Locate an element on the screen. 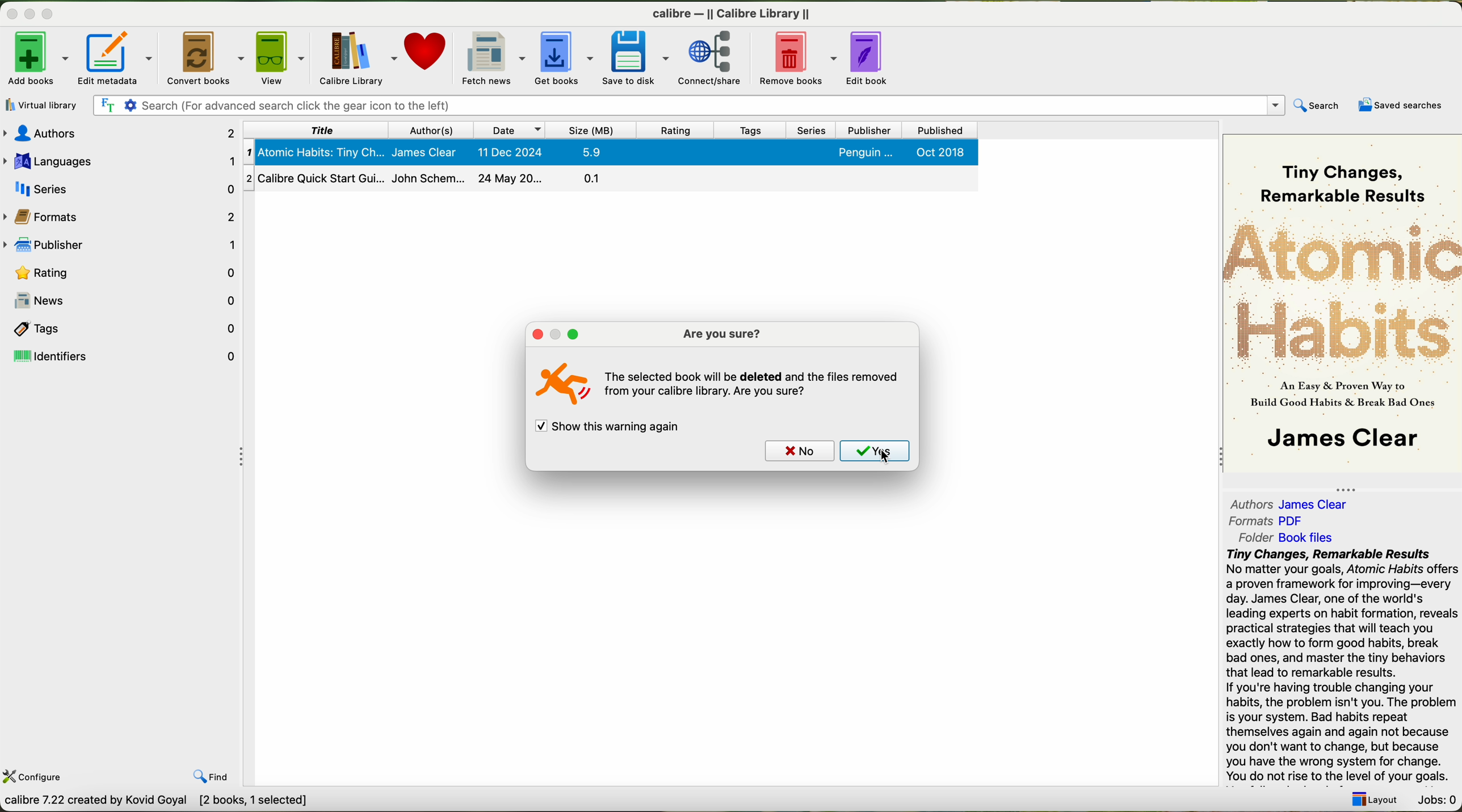 The image size is (1462, 812). cursor is located at coordinates (883, 459).